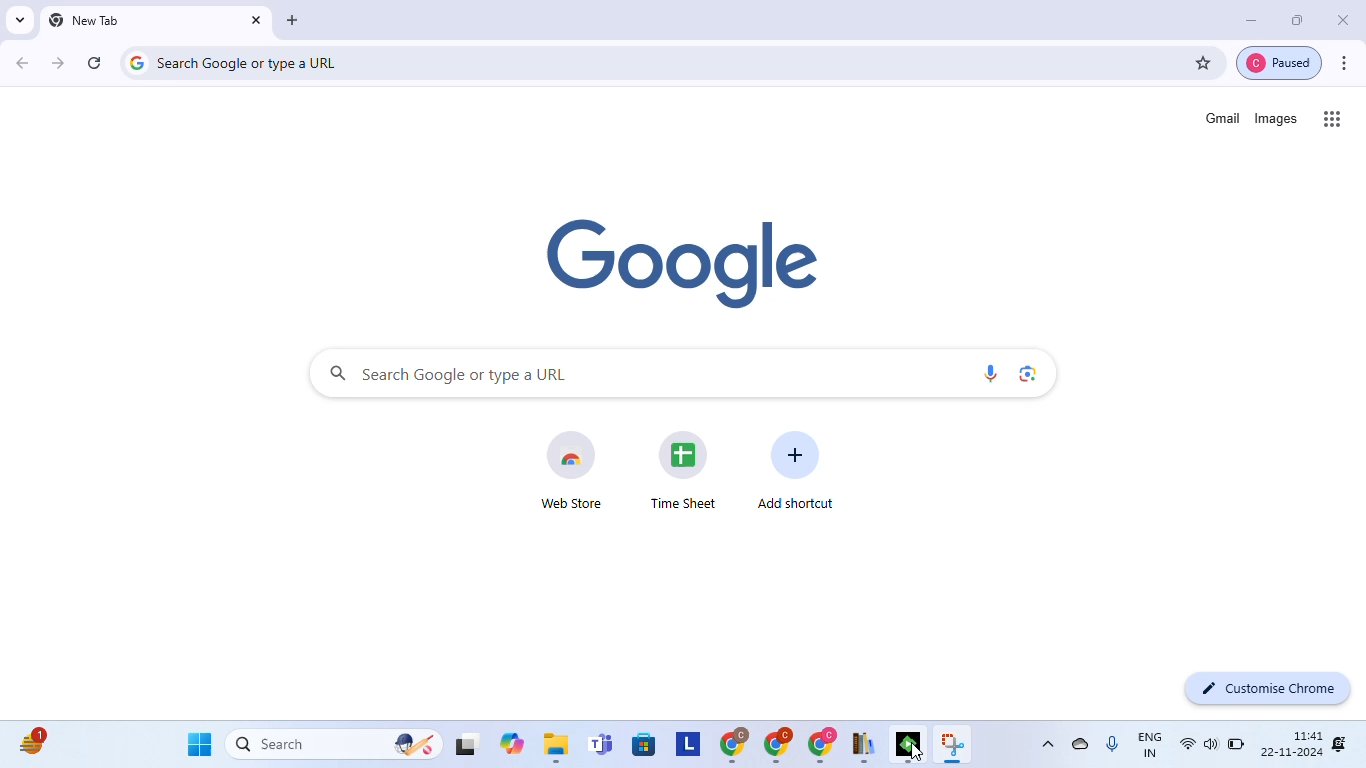 This screenshot has width=1366, height=768. I want to click on gmail, so click(1223, 117).